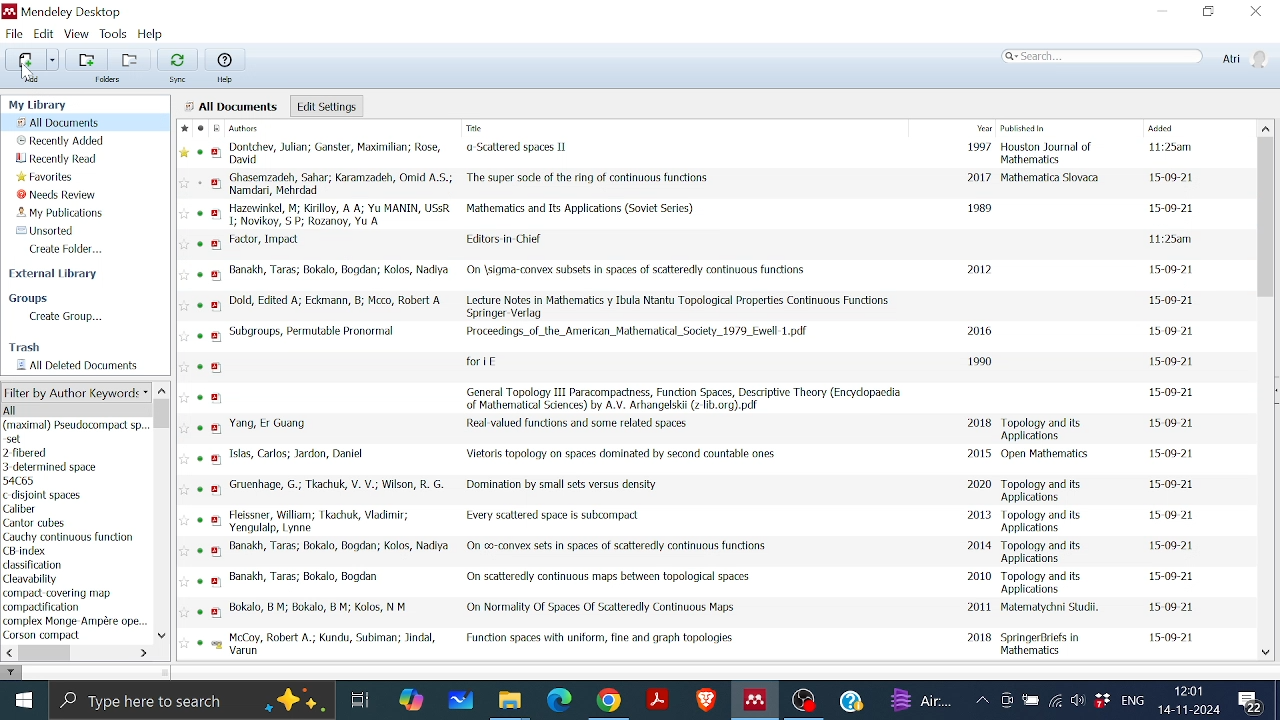 The width and height of the screenshot is (1280, 720). What do you see at coordinates (708, 700) in the screenshot?
I see `Brave browser` at bounding box center [708, 700].